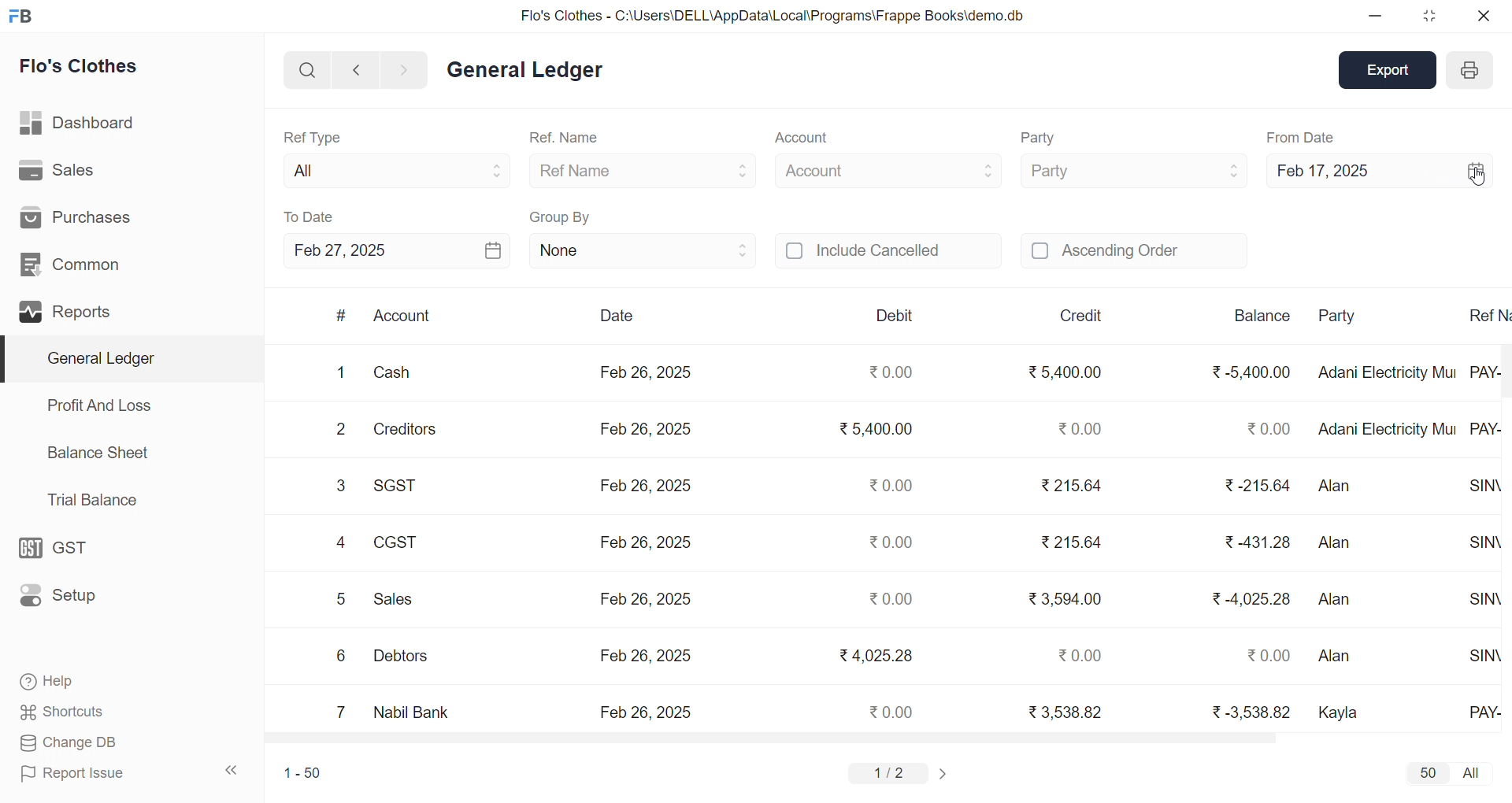  I want to click on 1-50, so click(297, 772).